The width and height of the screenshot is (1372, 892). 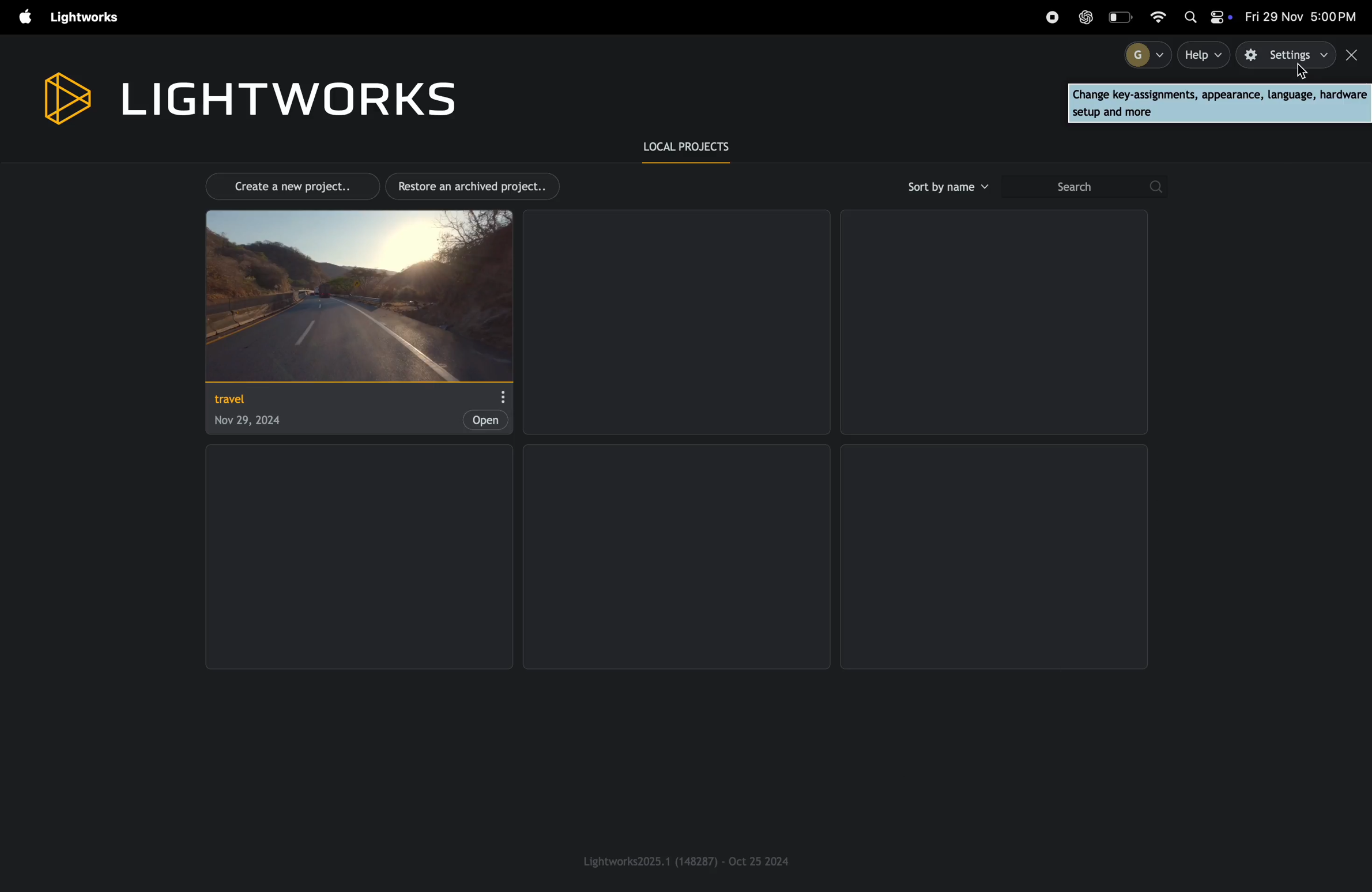 I want to click on cursor, so click(x=1302, y=74).